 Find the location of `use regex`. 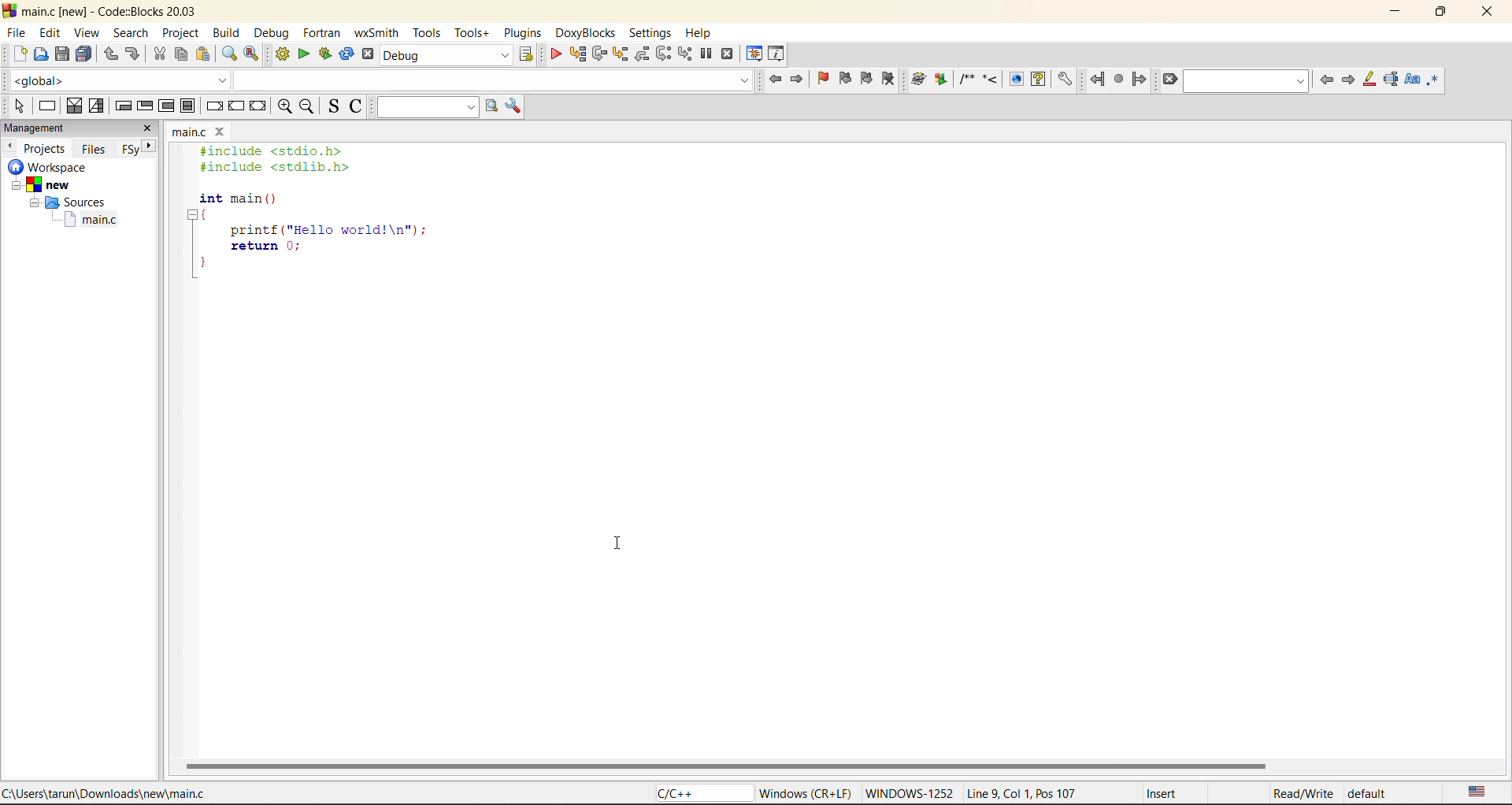

use regex is located at coordinates (1436, 80).